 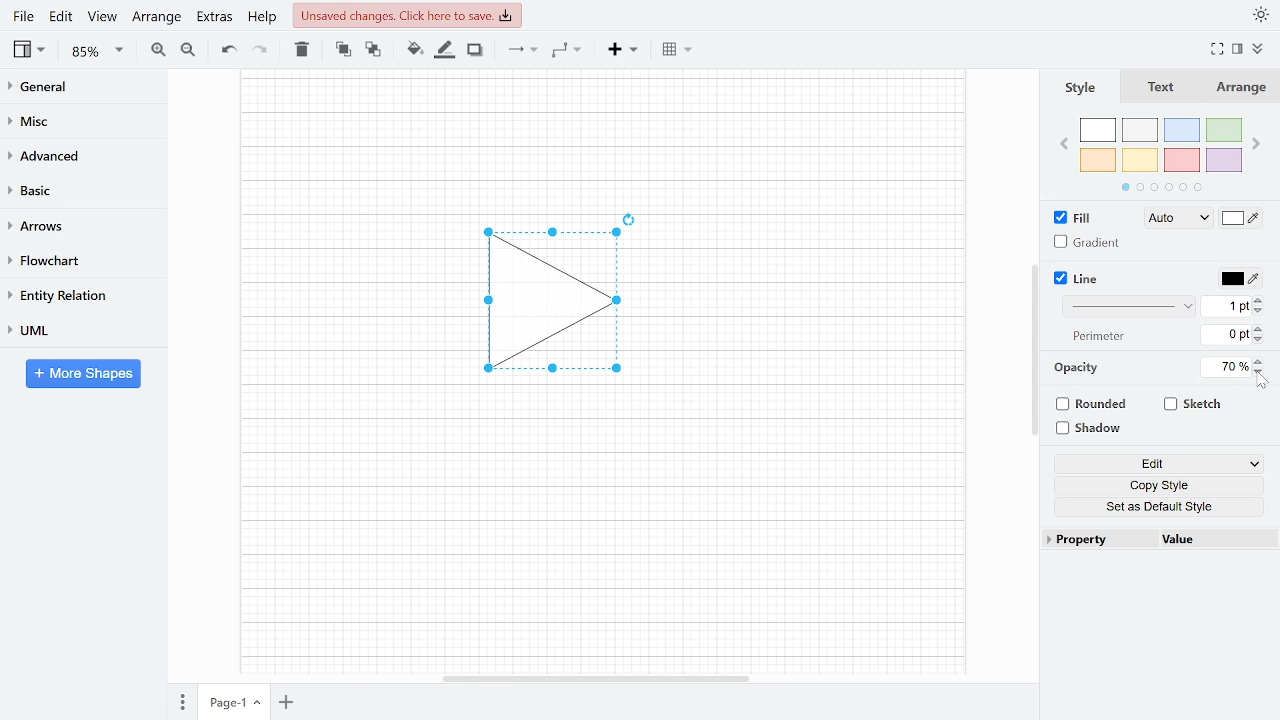 I want to click on Current page, so click(x=223, y=703).